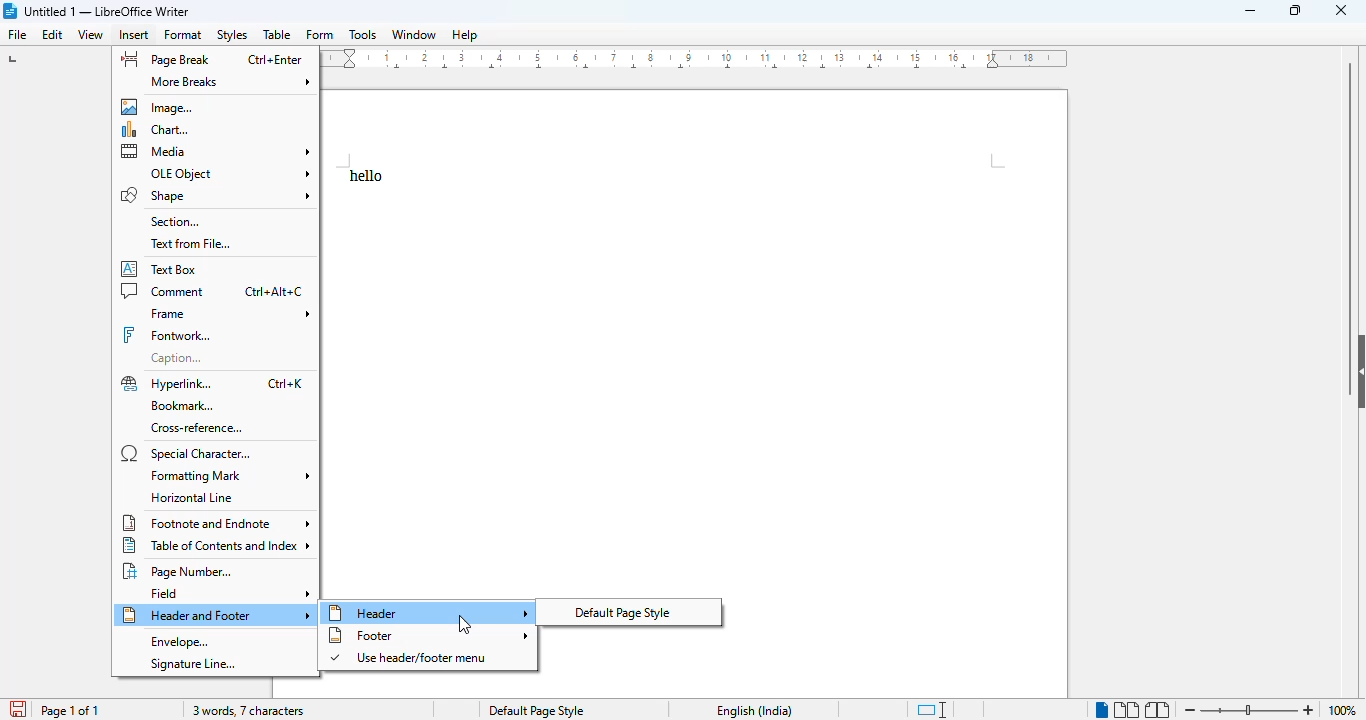  Describe the element at coordinates (70, 711) in the screenshot. I see `page 1 of 1` at that location.